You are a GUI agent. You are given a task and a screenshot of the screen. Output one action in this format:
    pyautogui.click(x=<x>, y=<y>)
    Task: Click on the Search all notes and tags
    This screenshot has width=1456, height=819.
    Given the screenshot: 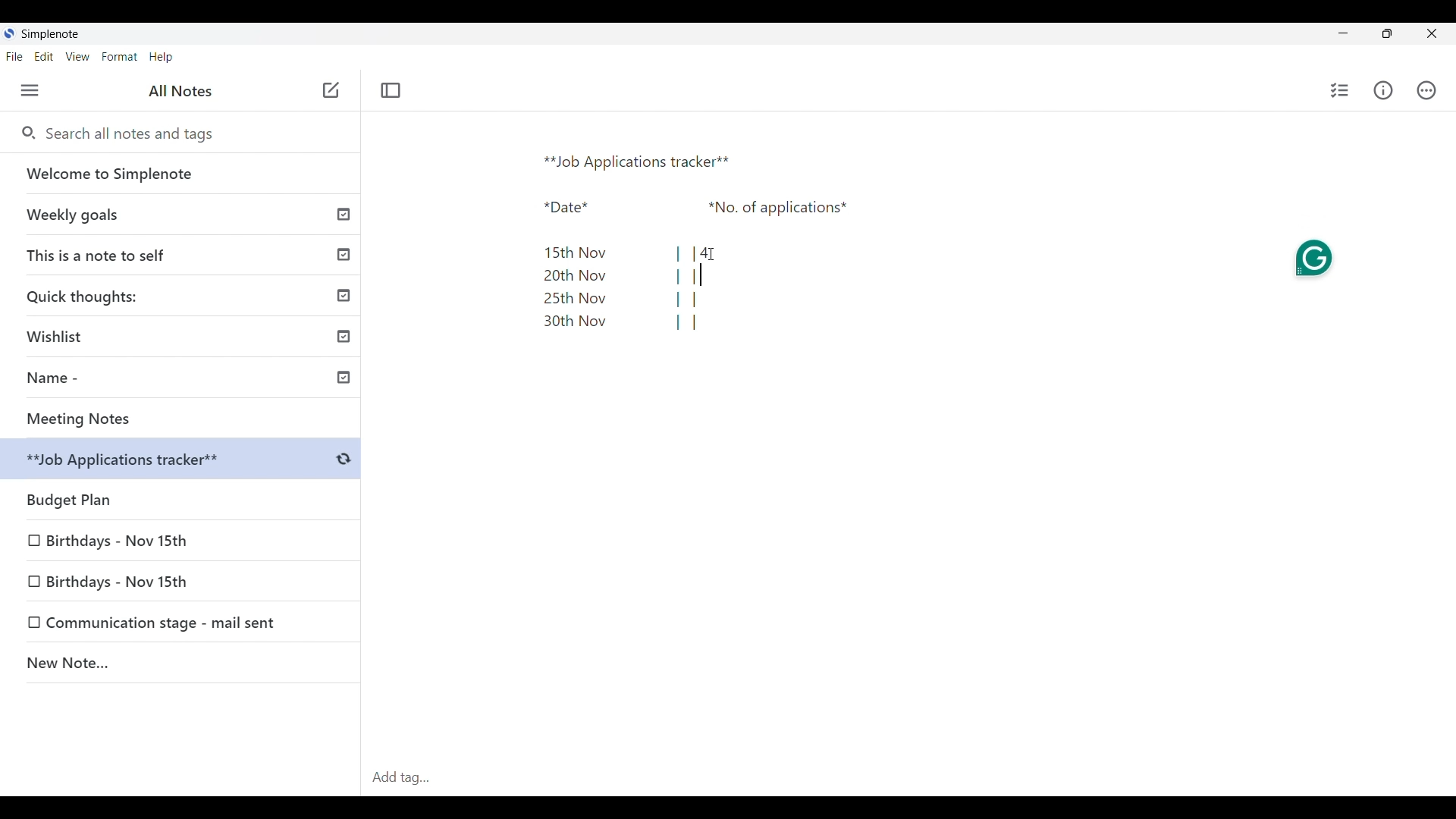 What is the action you would take?
    pyautogui.click(x=135, y=133)
    